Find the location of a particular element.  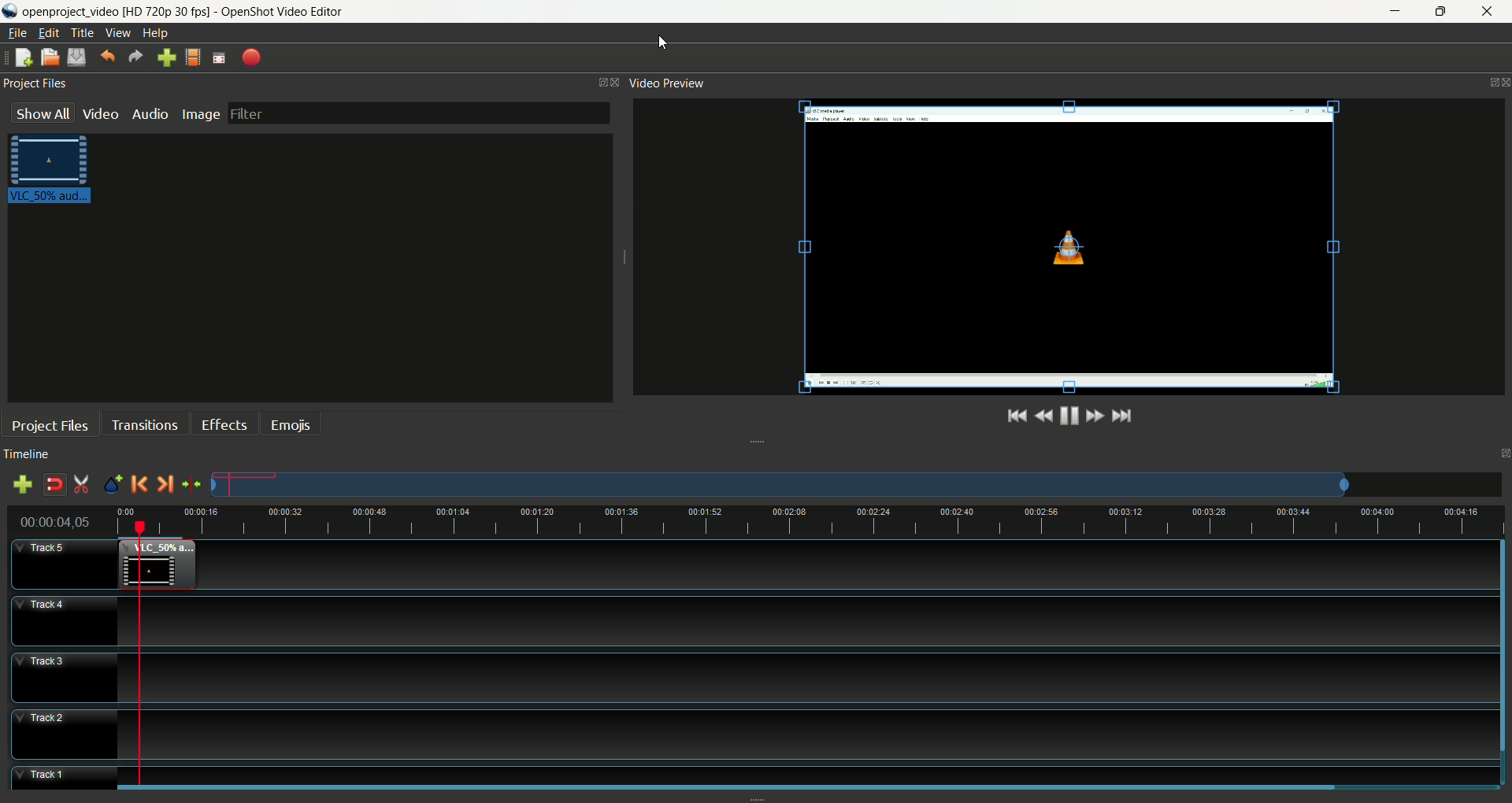

new project is located at coordinates (24, 57).